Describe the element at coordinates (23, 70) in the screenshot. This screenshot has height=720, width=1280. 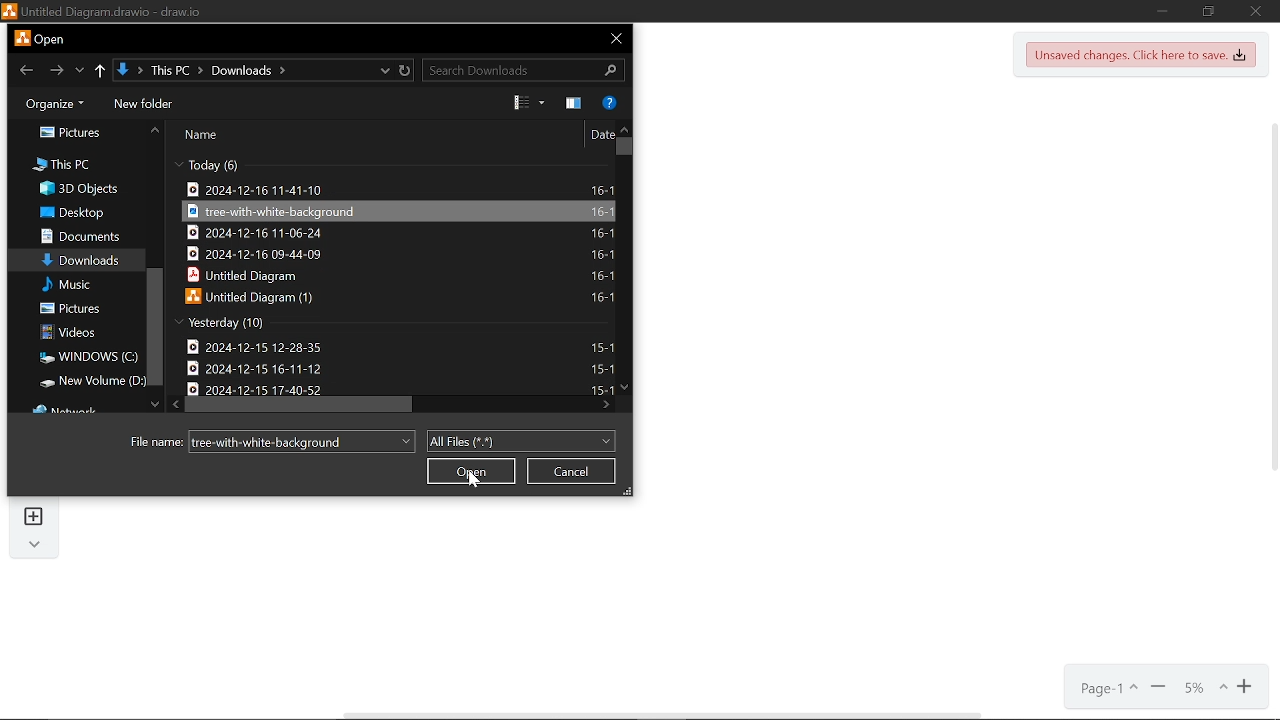
I see `Previous` at that location.